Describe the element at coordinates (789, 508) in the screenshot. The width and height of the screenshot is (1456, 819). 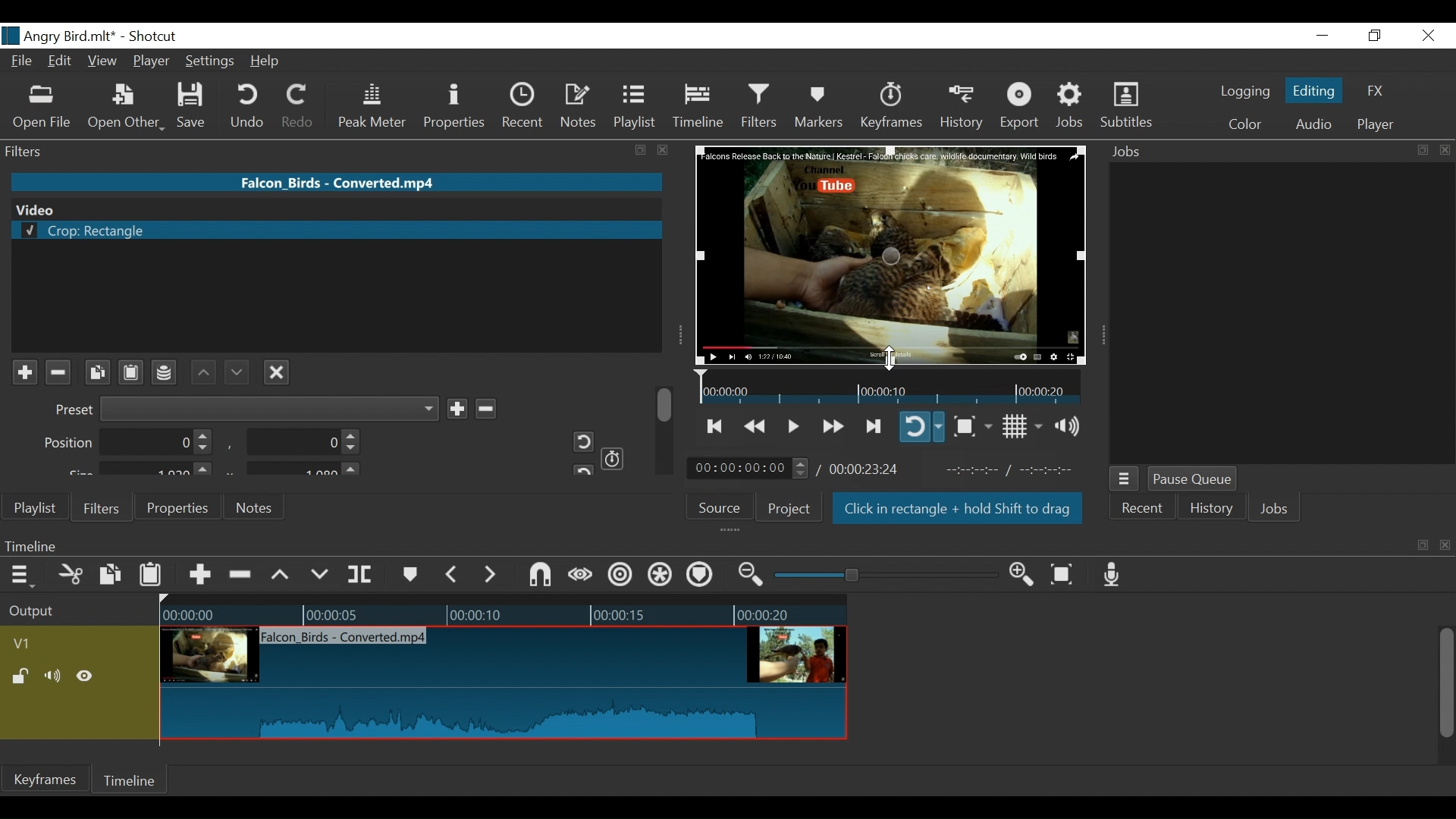
I see `Project` at that location.